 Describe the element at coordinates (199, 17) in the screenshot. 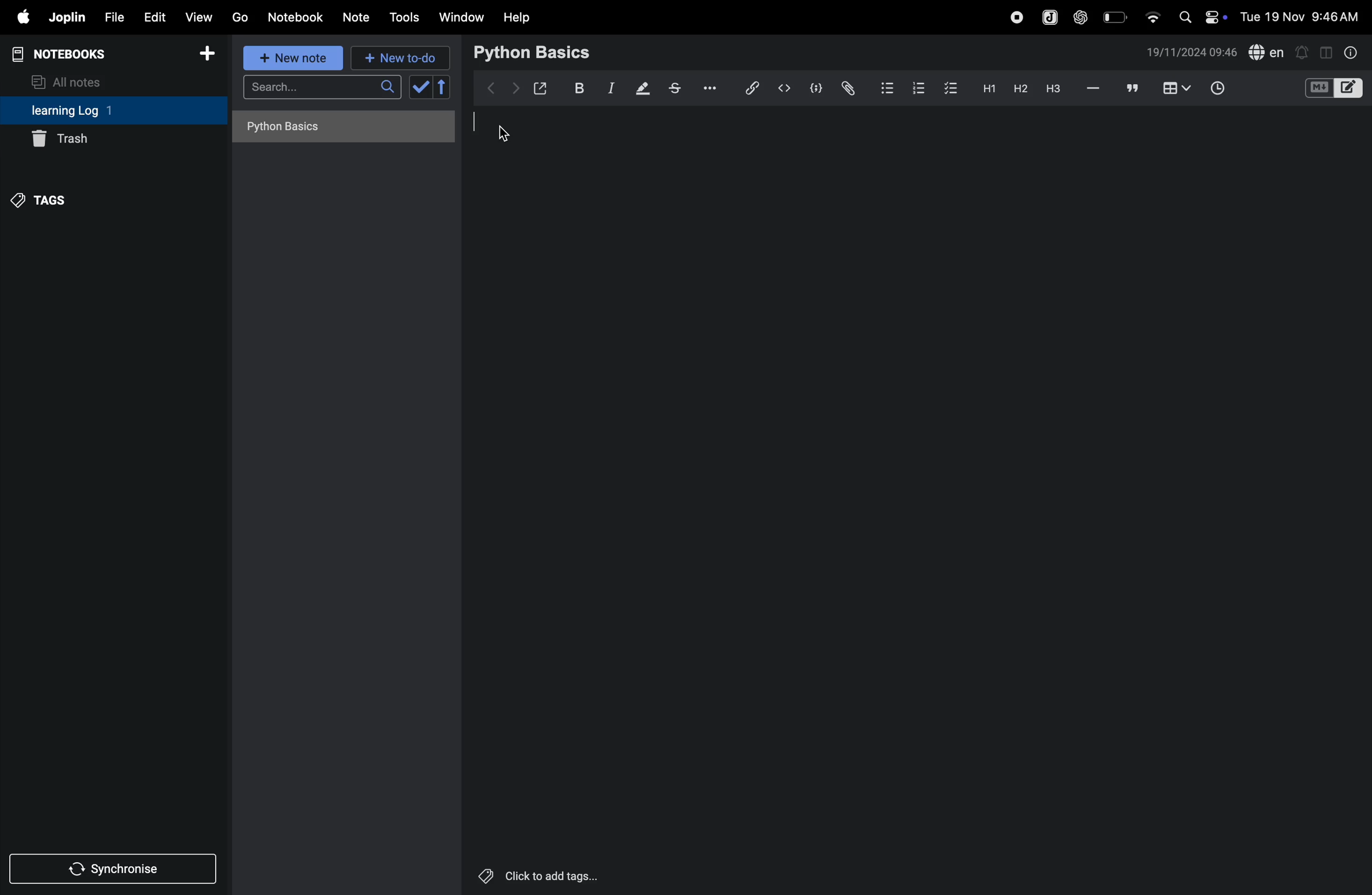

I see `view` at that location.